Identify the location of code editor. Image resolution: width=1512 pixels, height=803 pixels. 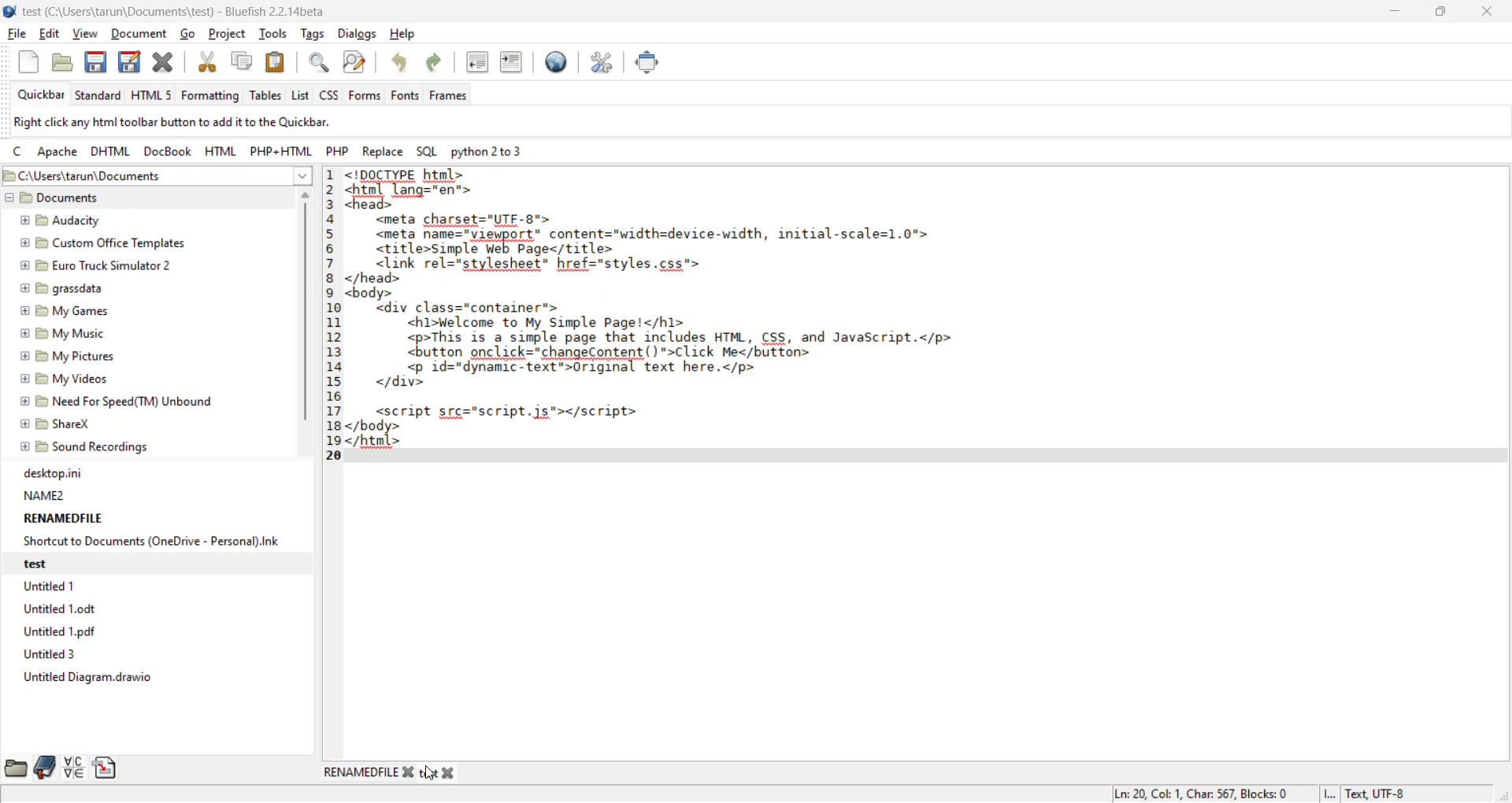
(683, 316).